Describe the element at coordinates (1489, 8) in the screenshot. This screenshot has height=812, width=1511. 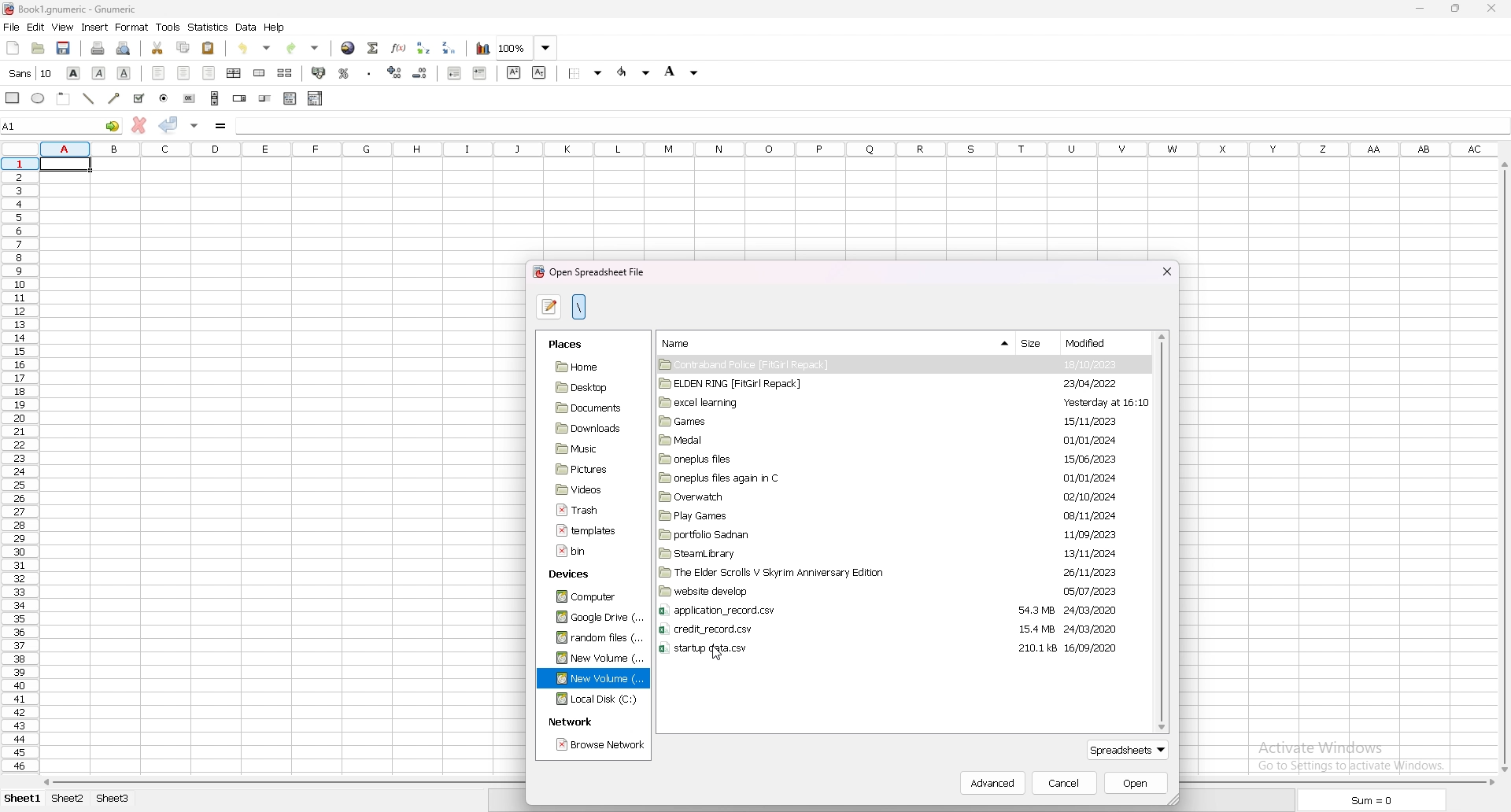
I see `close` at that location.